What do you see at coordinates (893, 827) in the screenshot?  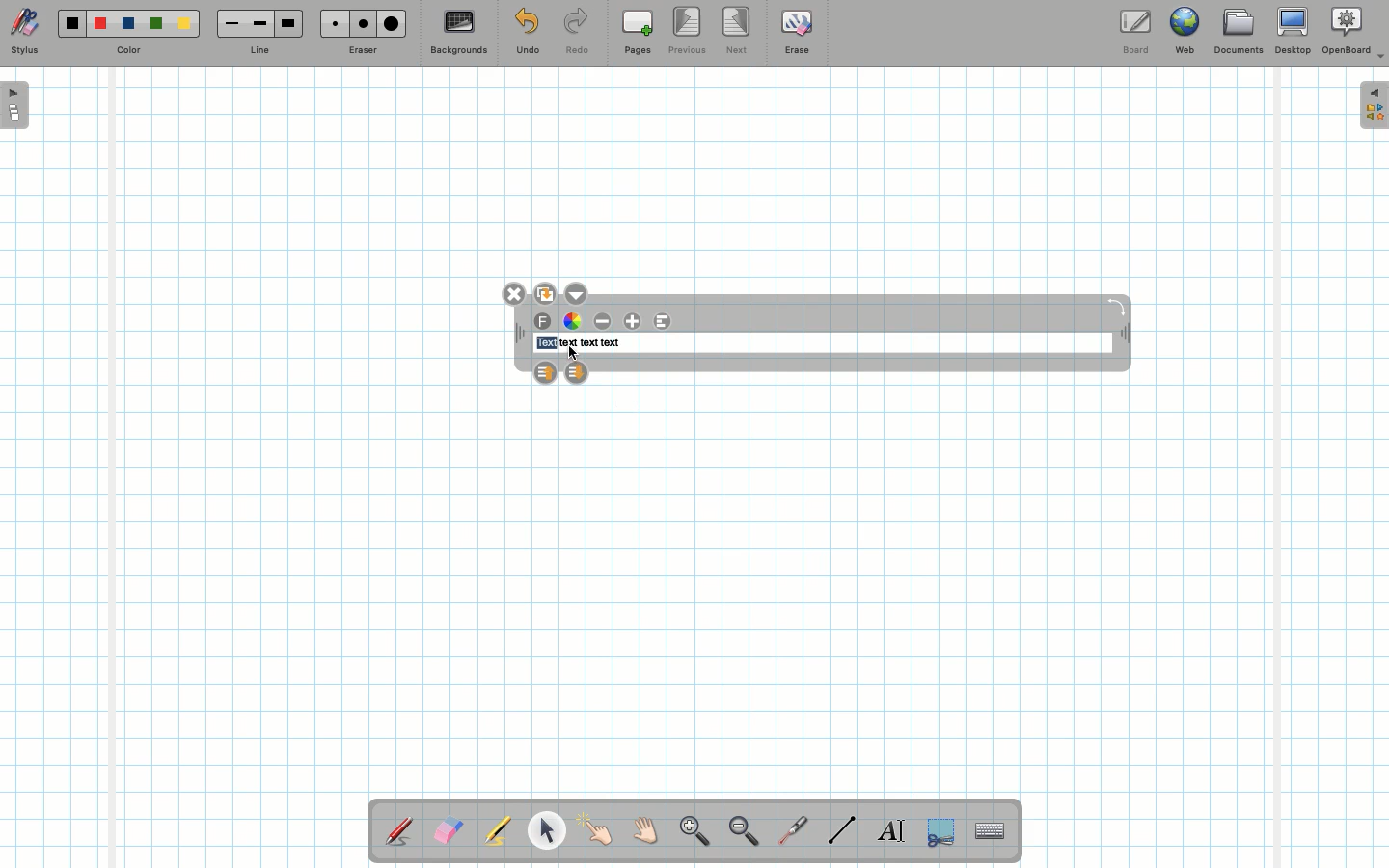 I see `Write text` at bounding box center [893, 827].